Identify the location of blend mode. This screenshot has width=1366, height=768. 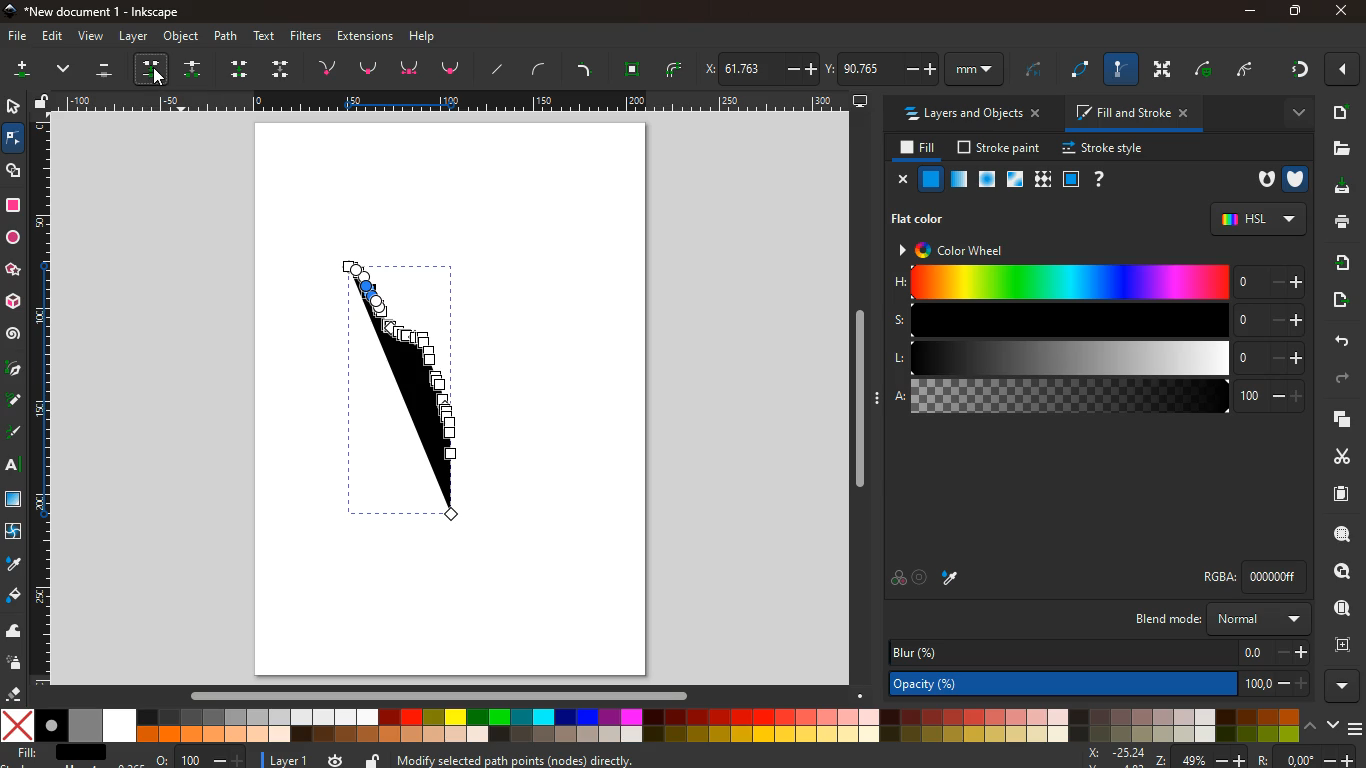
(1225, 619).